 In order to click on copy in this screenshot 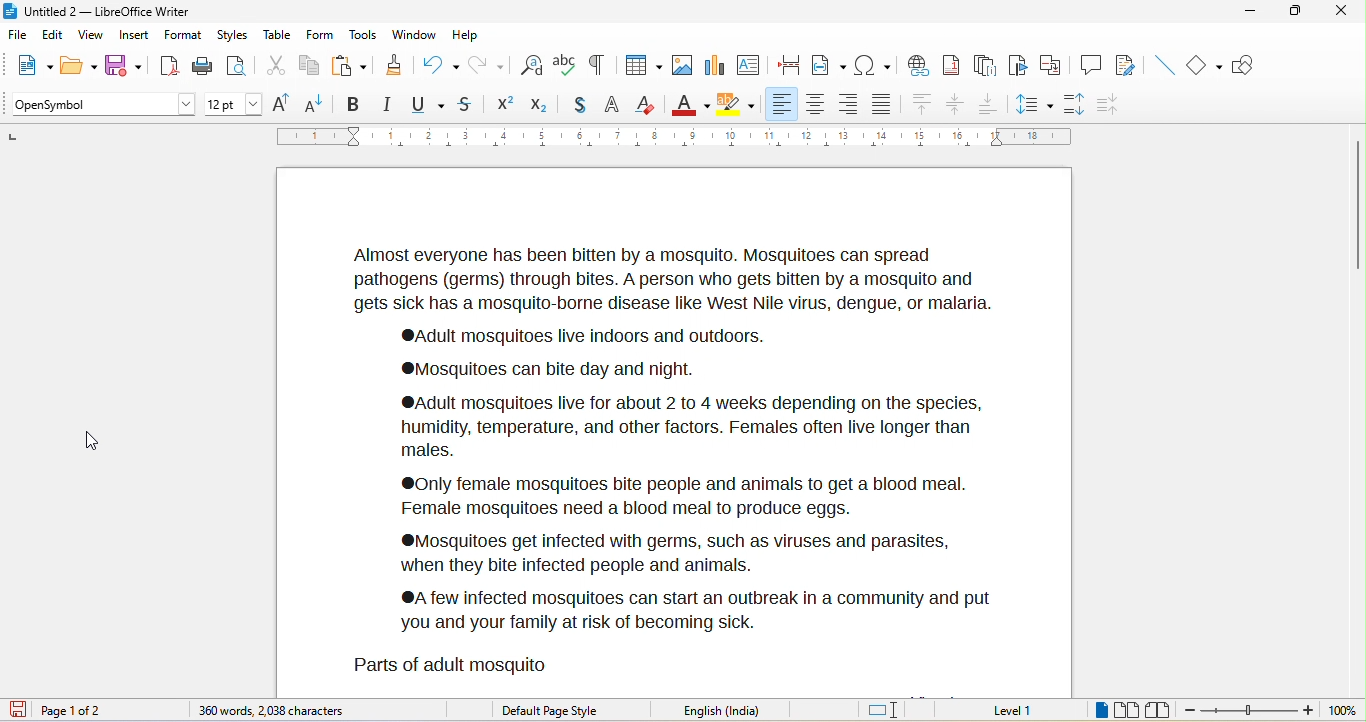, I will do `click(308, 67)`.